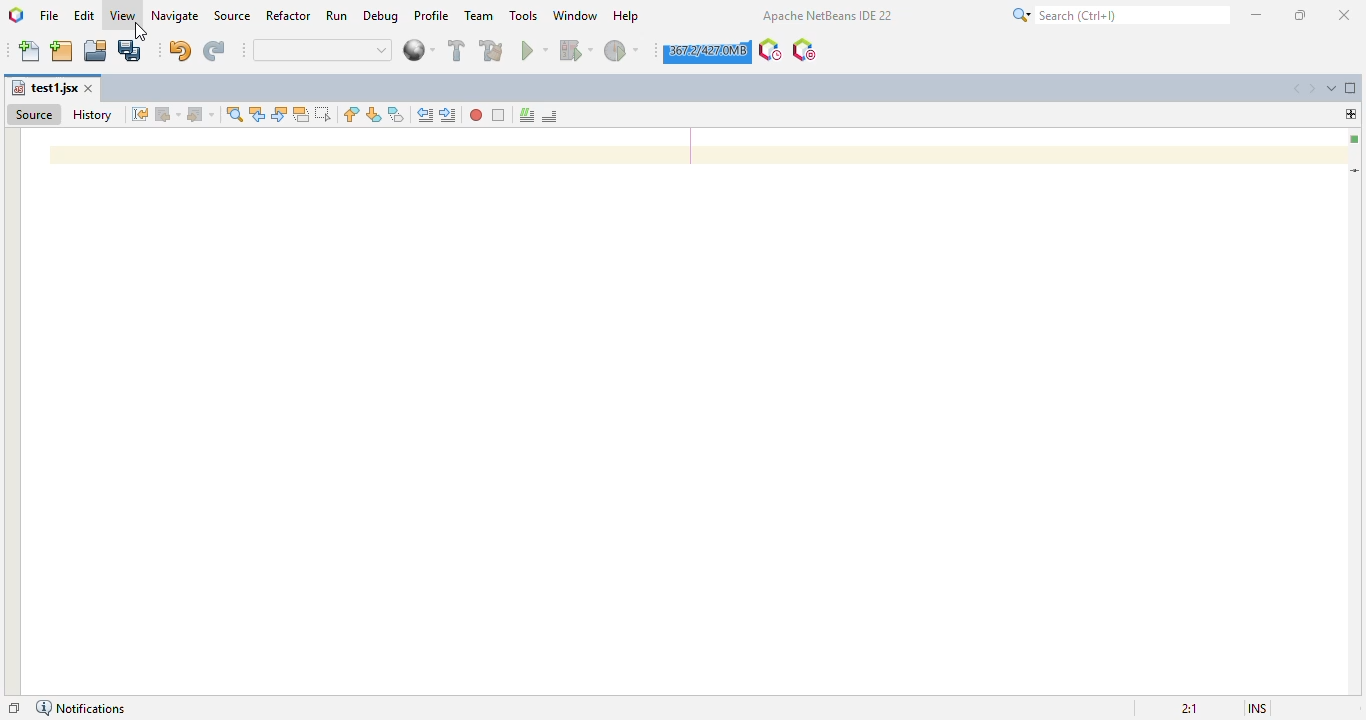 The width and height of the screenshot is (1366, 720). What do you see at coordinates (577, 50) in the screenshot?
I see `debug project` at bounding box center [577, 50].